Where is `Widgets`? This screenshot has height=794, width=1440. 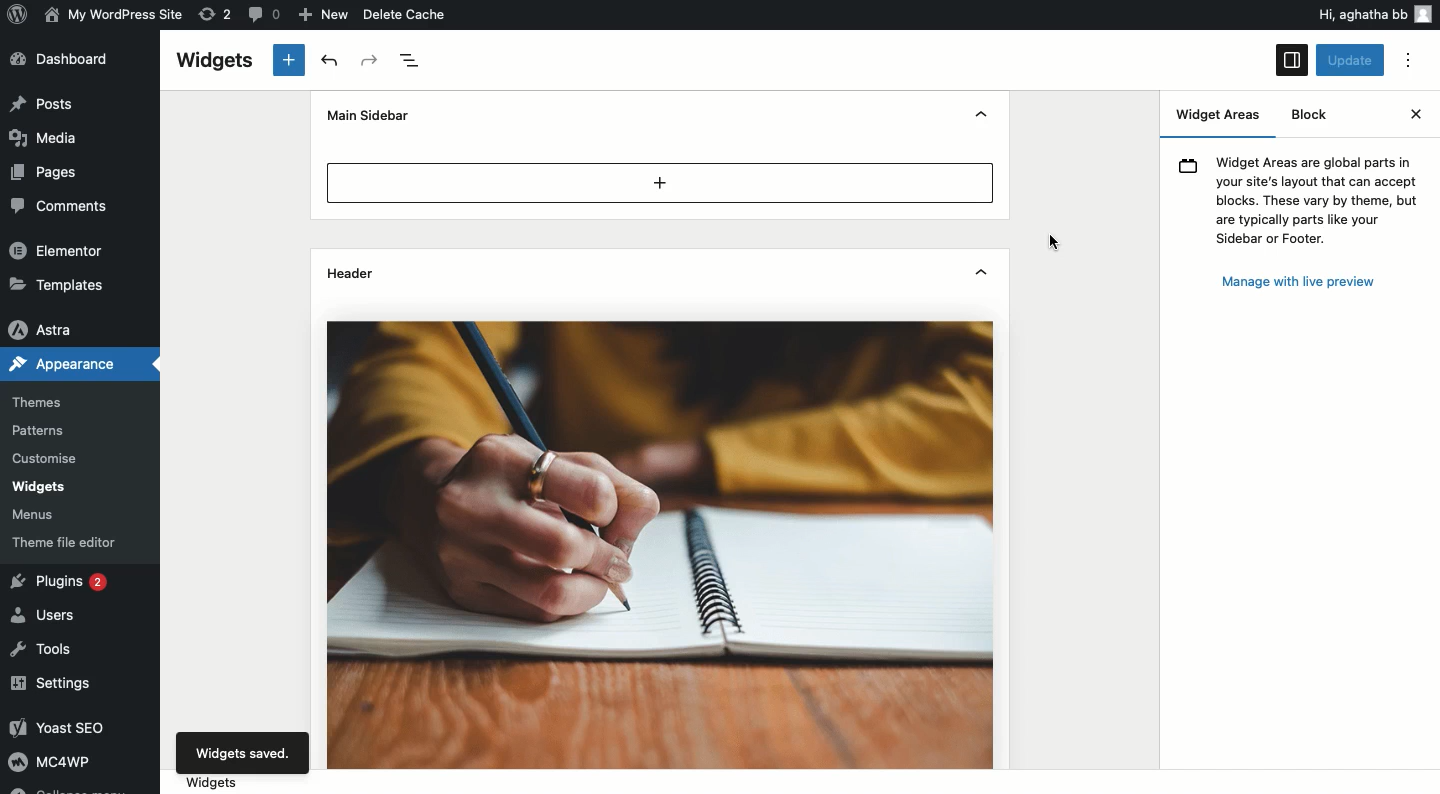 Widgets is located at coordinates (213, 61).